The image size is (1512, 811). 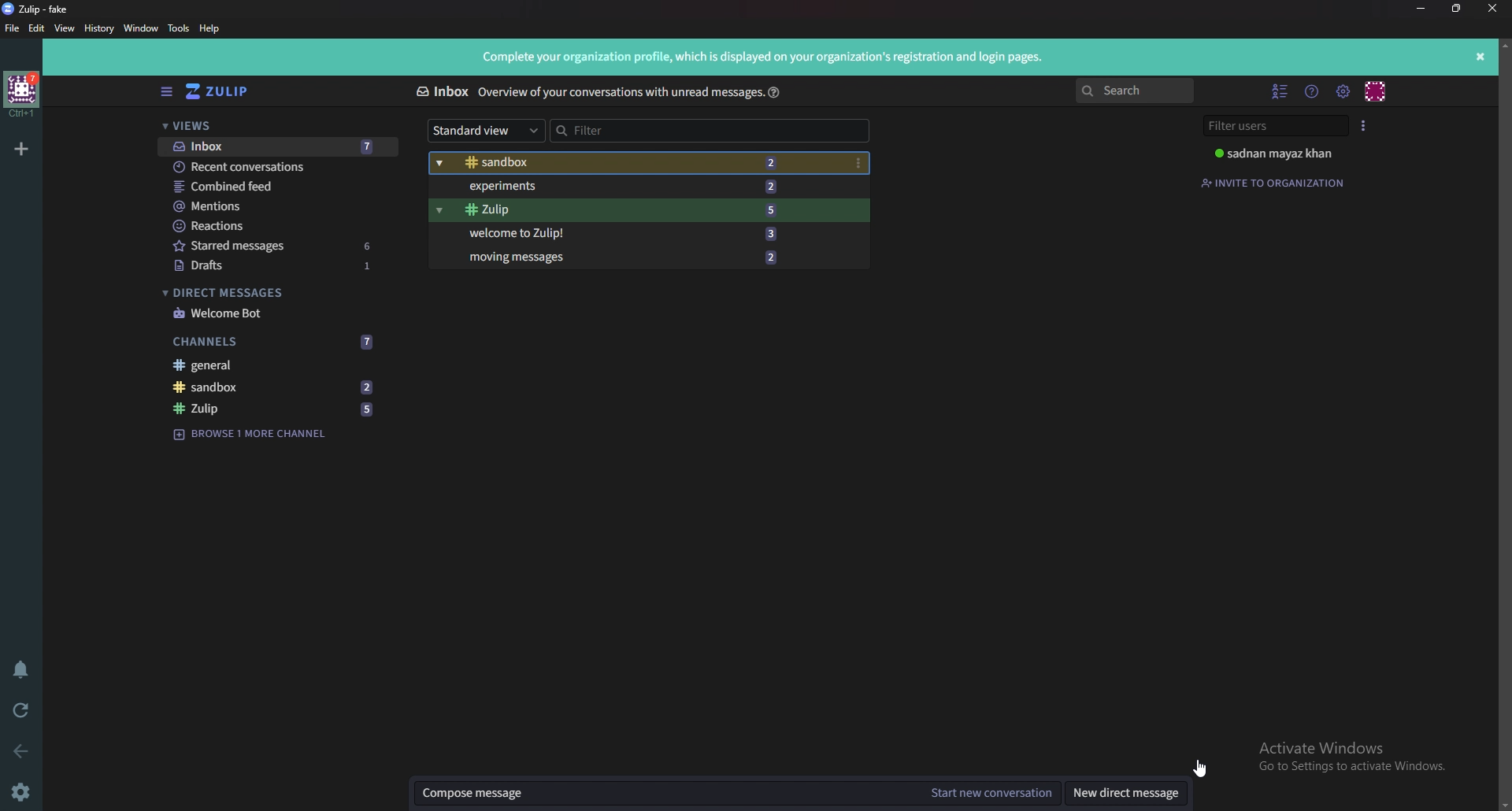 I want to click on view, so click(x=65, y=29).